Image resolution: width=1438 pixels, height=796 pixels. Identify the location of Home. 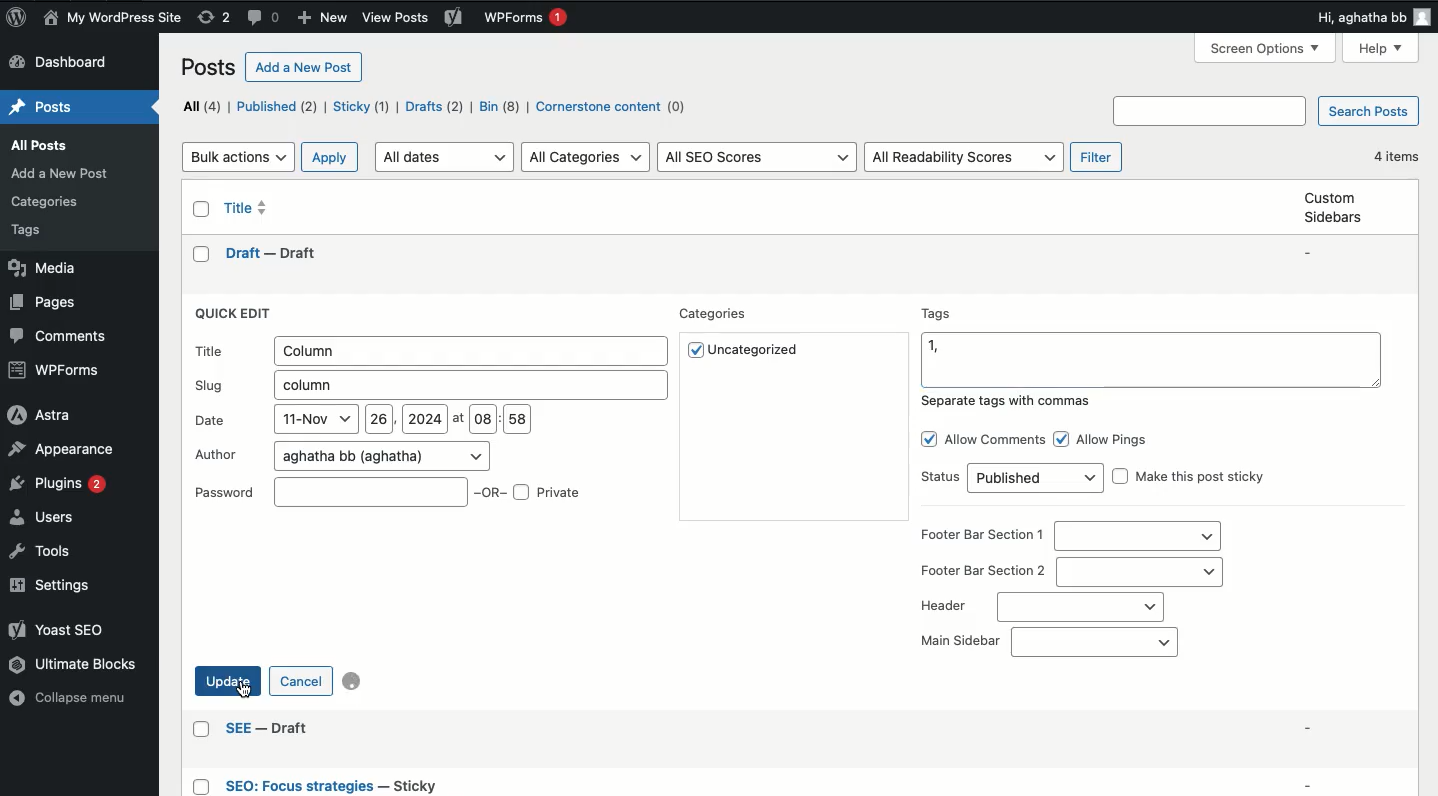
(39, 108).